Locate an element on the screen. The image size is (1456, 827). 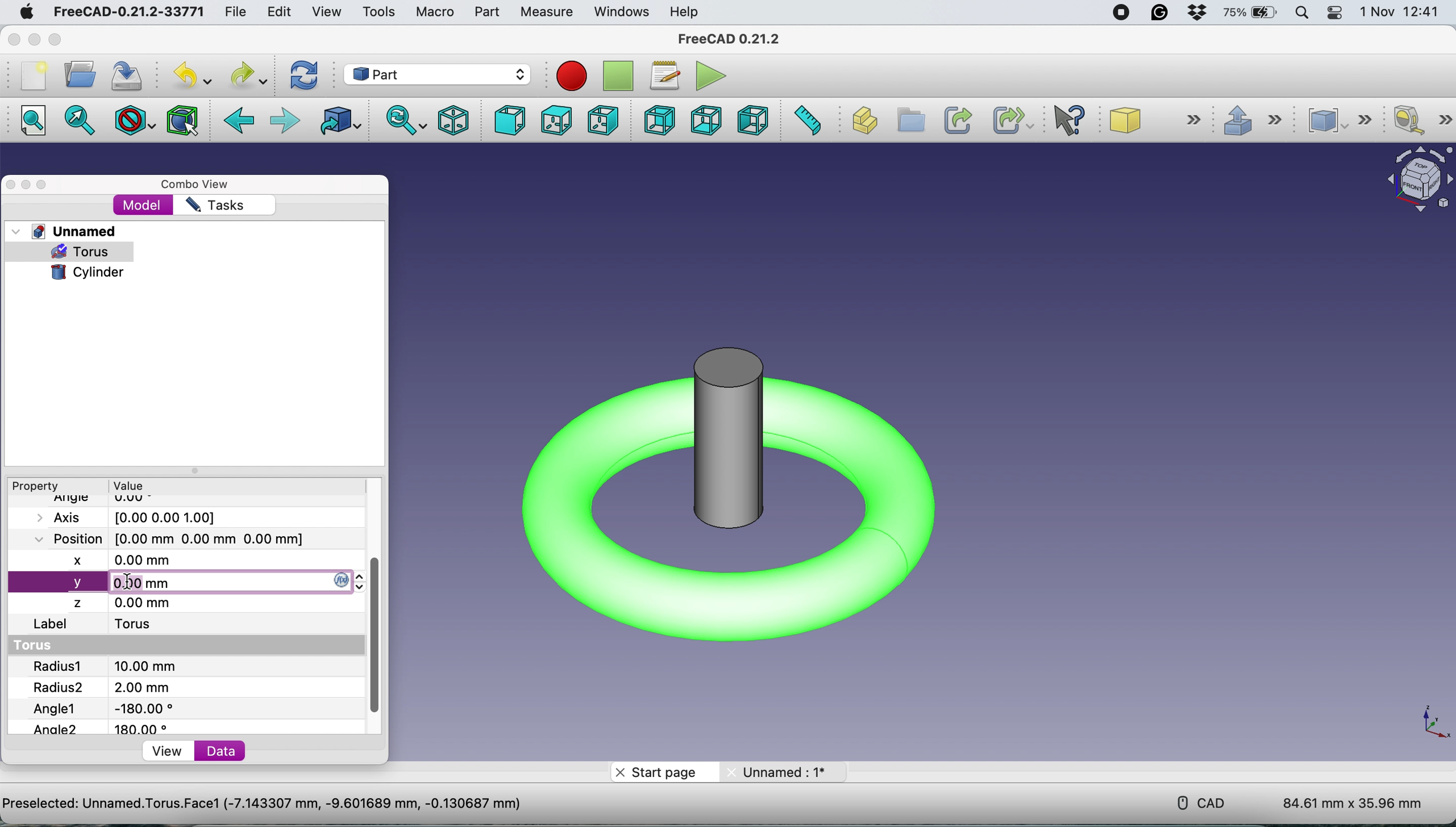
new is located at coordinates (33, 76).